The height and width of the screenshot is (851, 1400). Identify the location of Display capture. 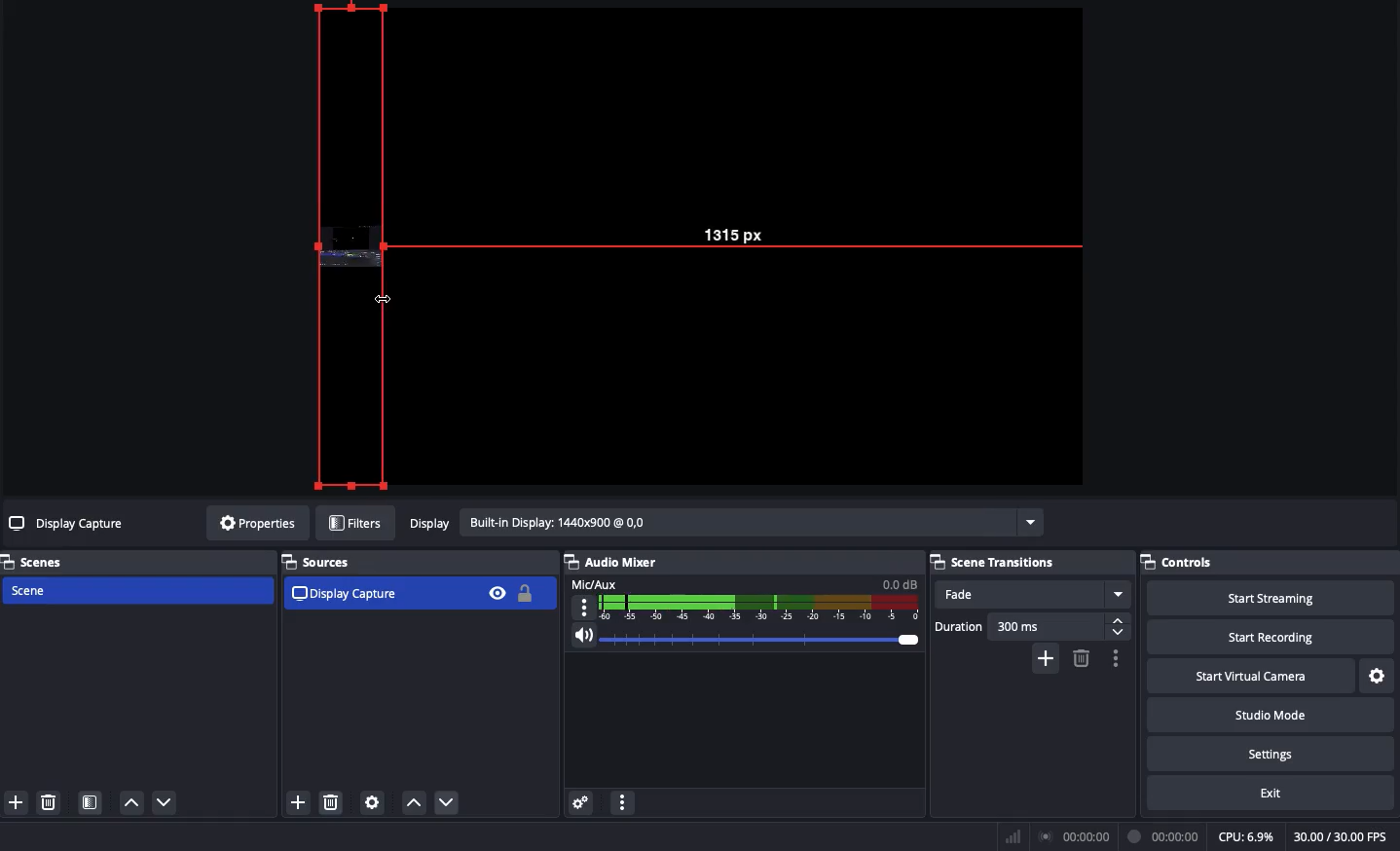
(348, 593).